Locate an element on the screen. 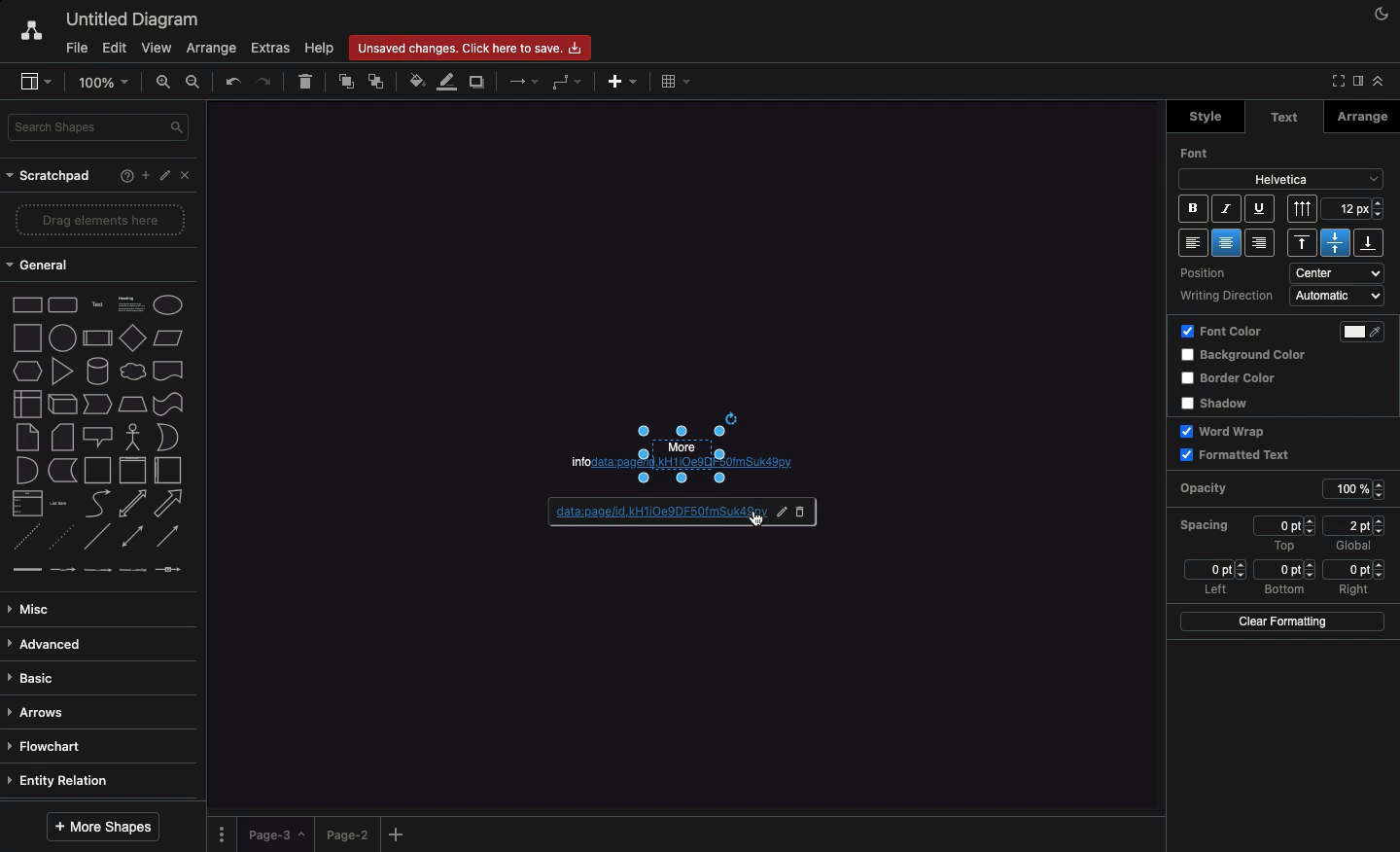  rounded rectangle is located at coordinates (63, 303).